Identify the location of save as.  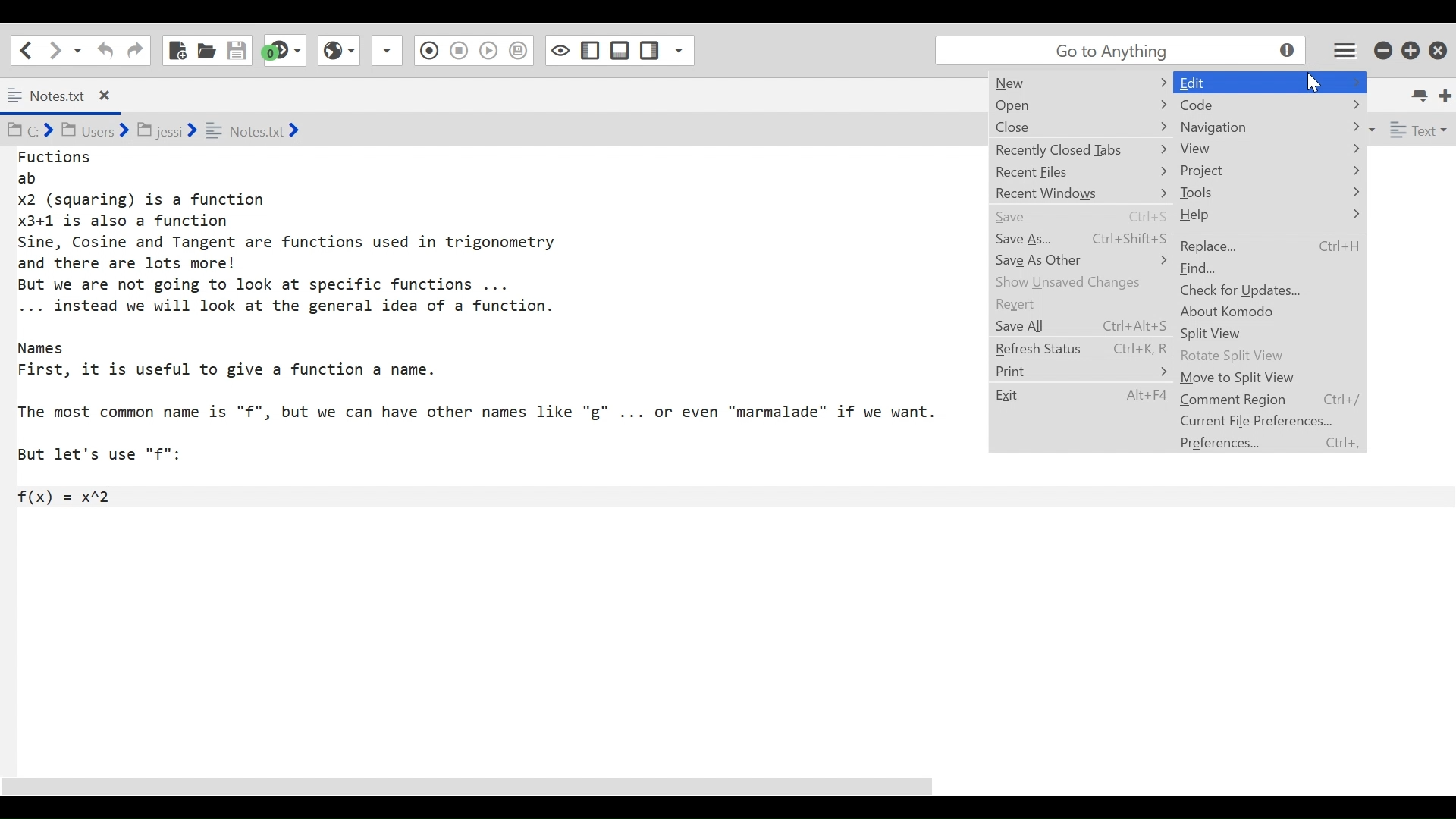
(1028, 237).